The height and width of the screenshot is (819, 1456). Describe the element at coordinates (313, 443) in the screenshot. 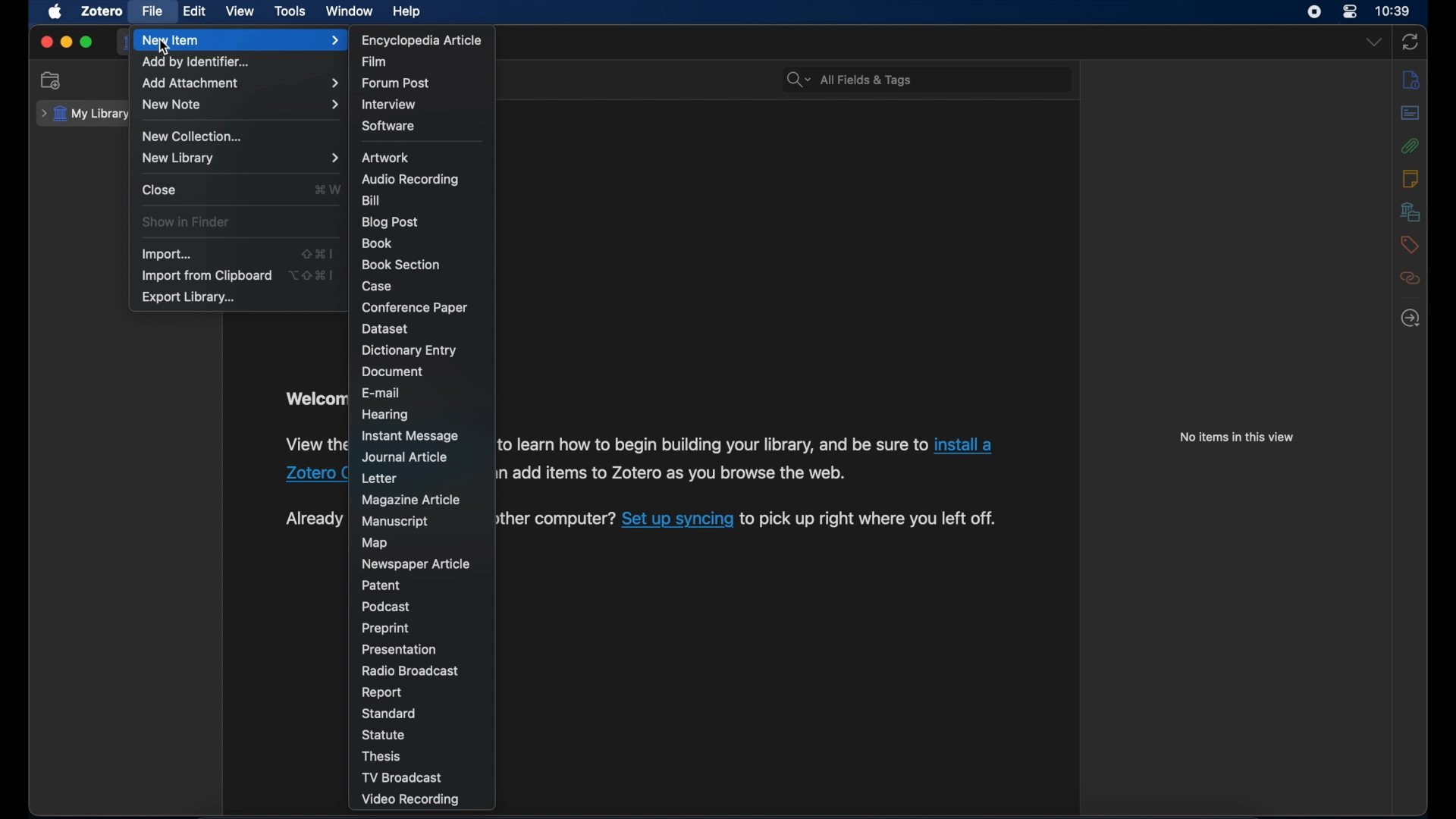

I see `View the` at that location.